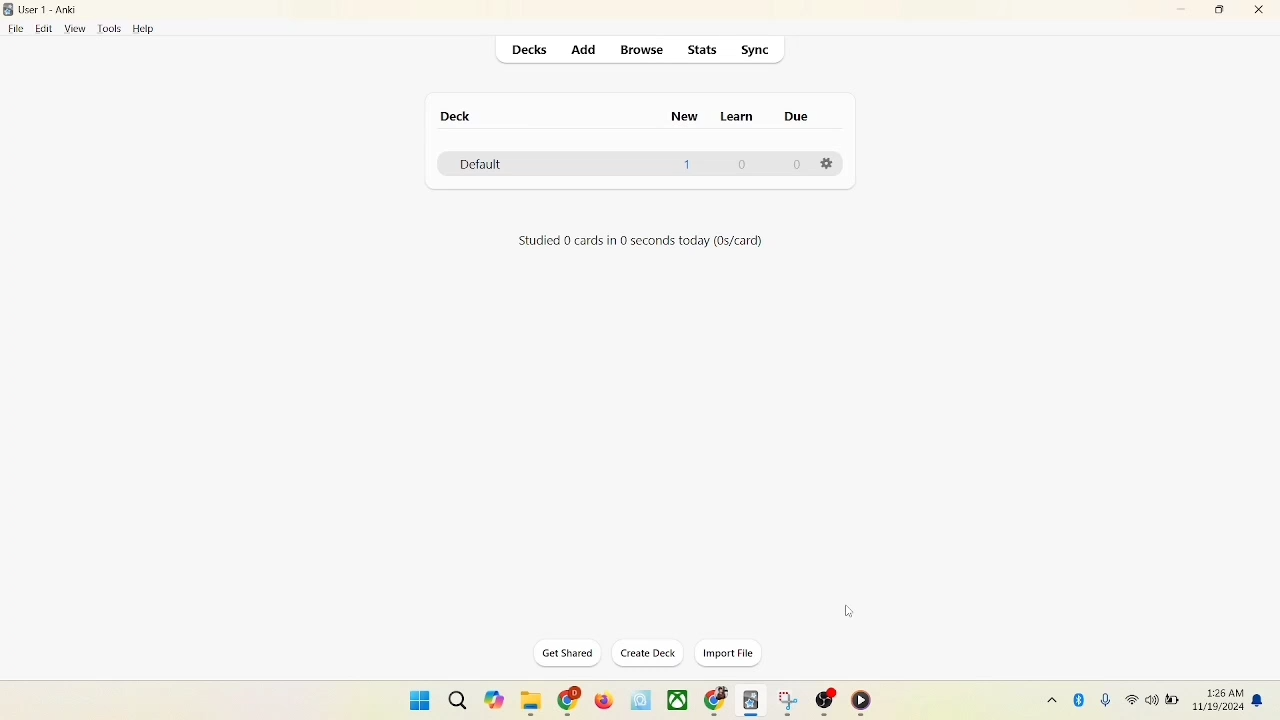  Describe the element at coordinates (456, 116) in the screenshot. I see `deck` at that location.